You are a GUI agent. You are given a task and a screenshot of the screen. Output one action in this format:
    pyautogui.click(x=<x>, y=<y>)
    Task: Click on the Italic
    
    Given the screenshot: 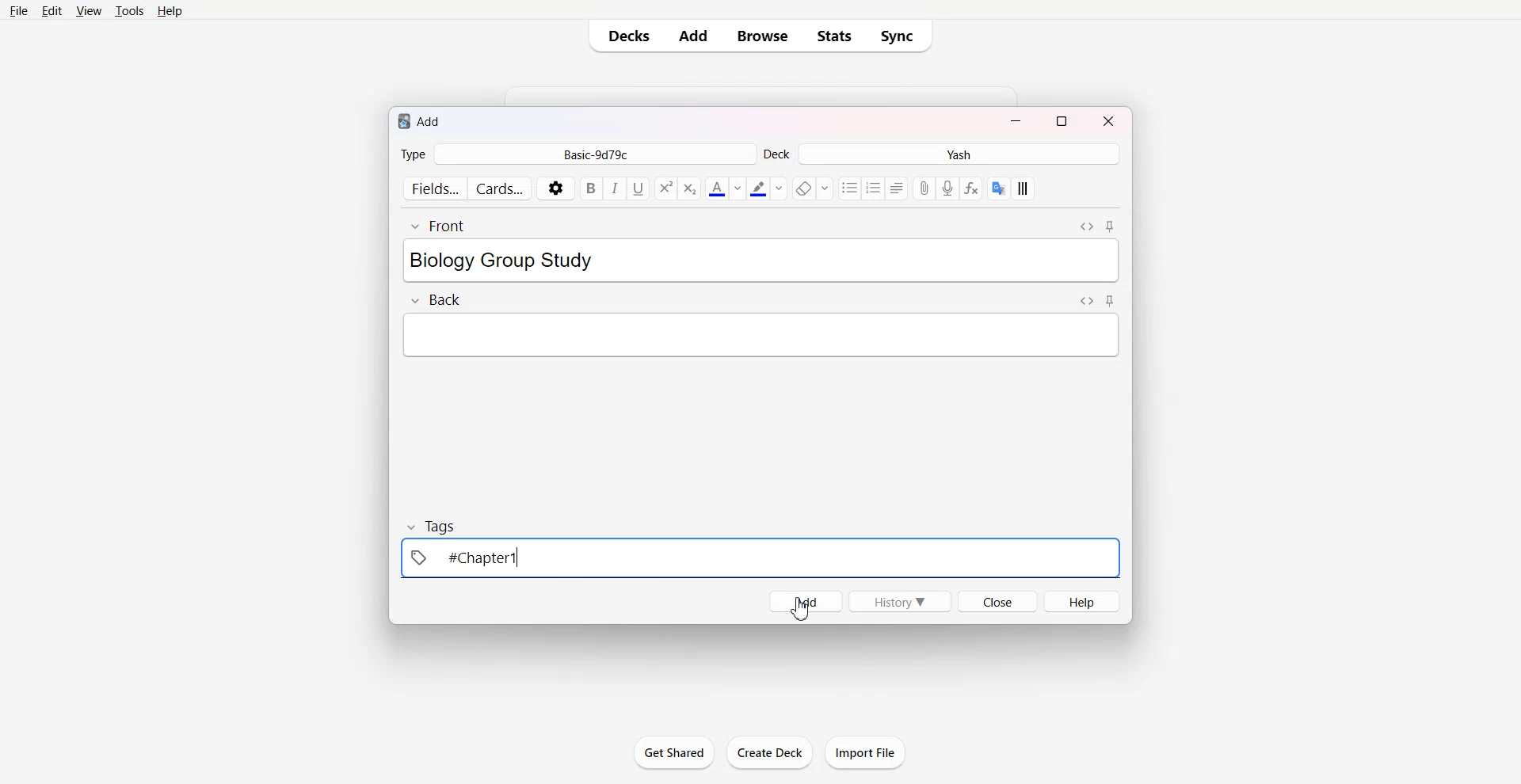 What is the action you would take?
    pyautogui.click(x=616, y=189)
    